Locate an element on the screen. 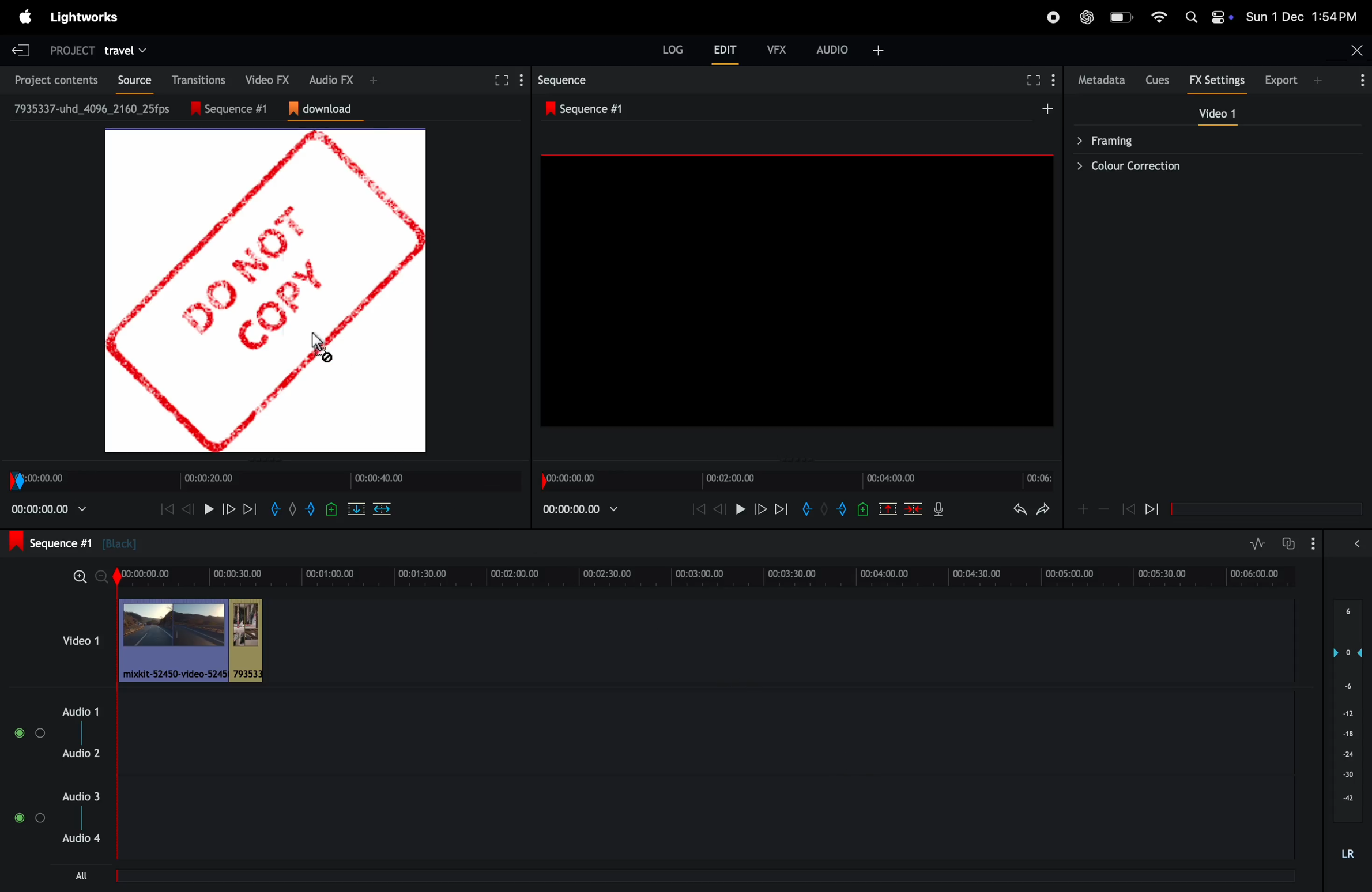 The width and height of the screenshot is (1372, 892). Add is located at coordinates (879, 51).